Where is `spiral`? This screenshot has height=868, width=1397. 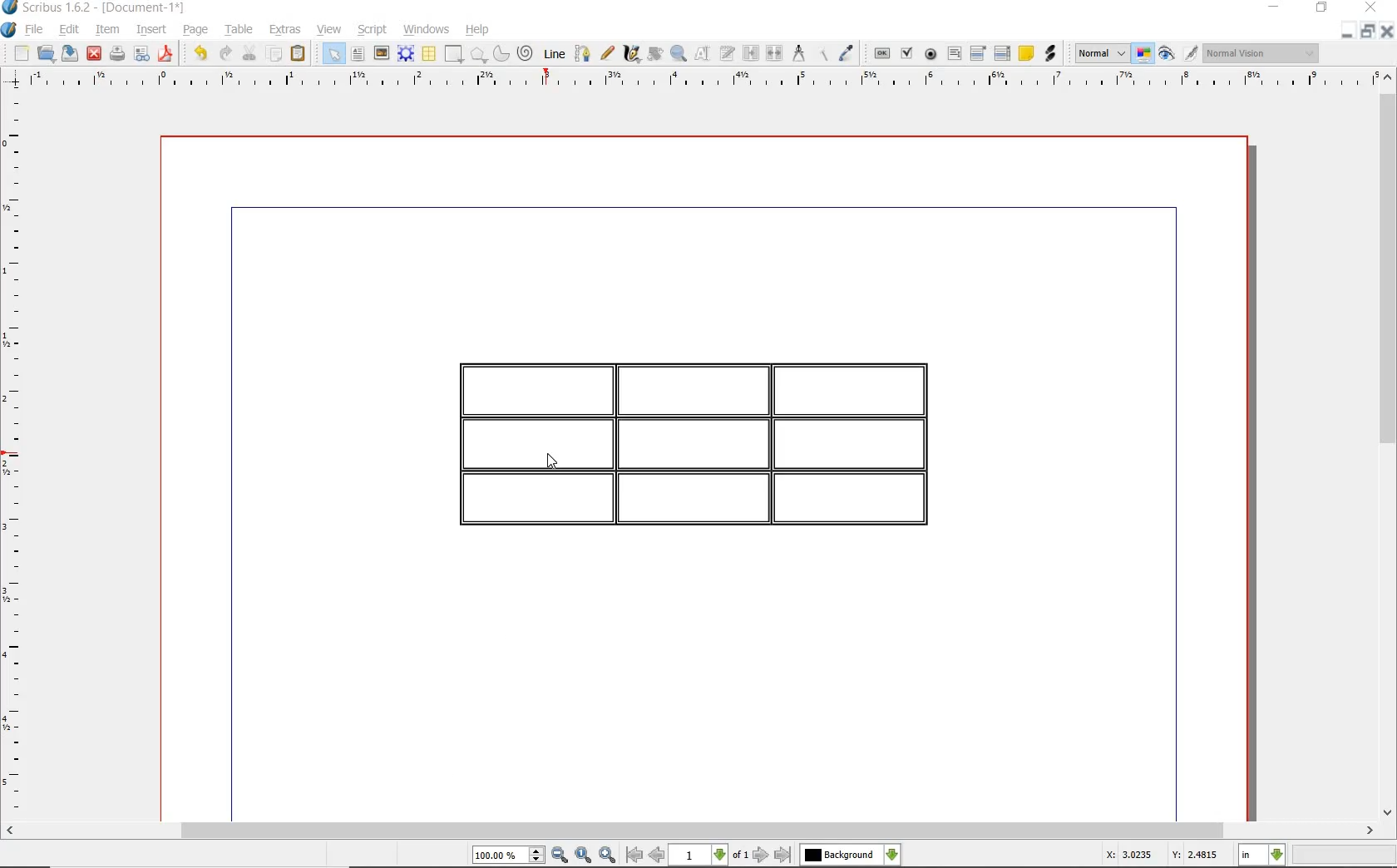 spiral is located at coordinates (526, 54).